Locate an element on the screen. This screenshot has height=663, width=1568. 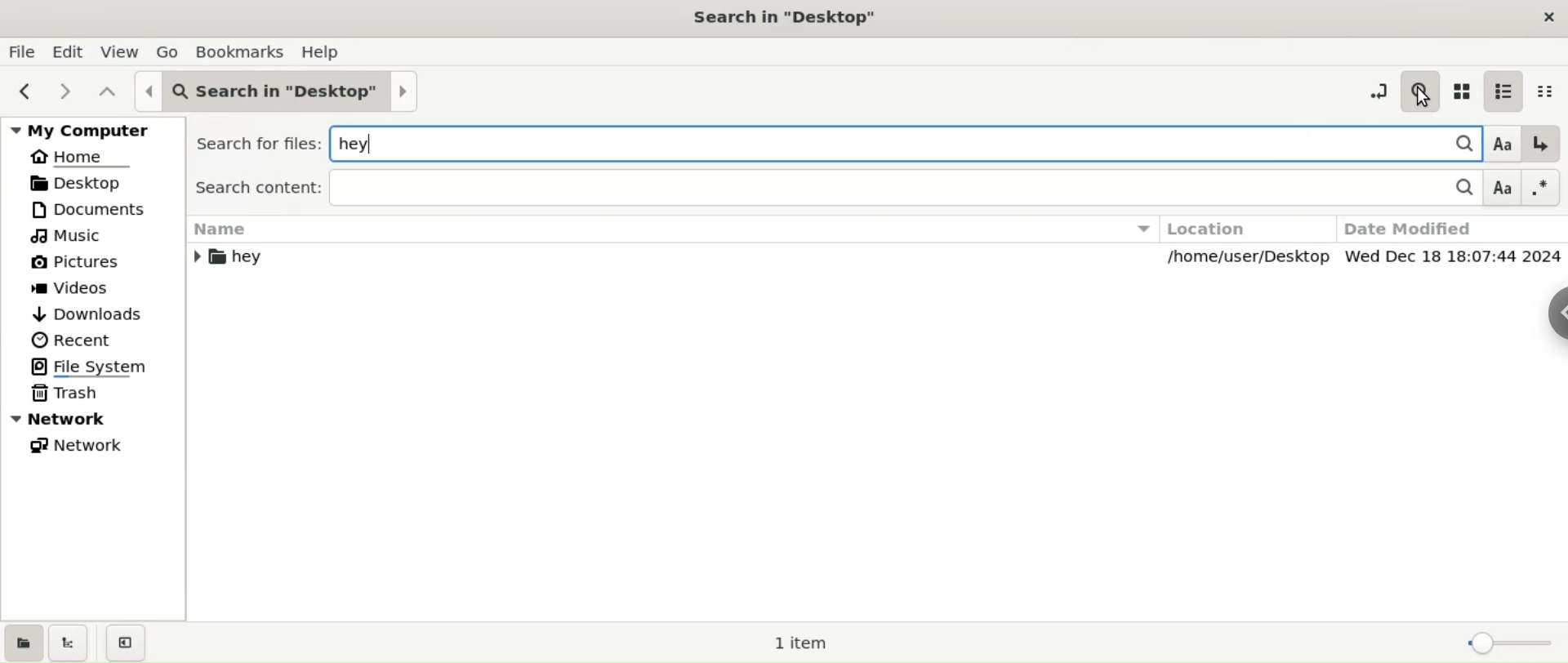
compact view is located at coordinates (1548, 92).